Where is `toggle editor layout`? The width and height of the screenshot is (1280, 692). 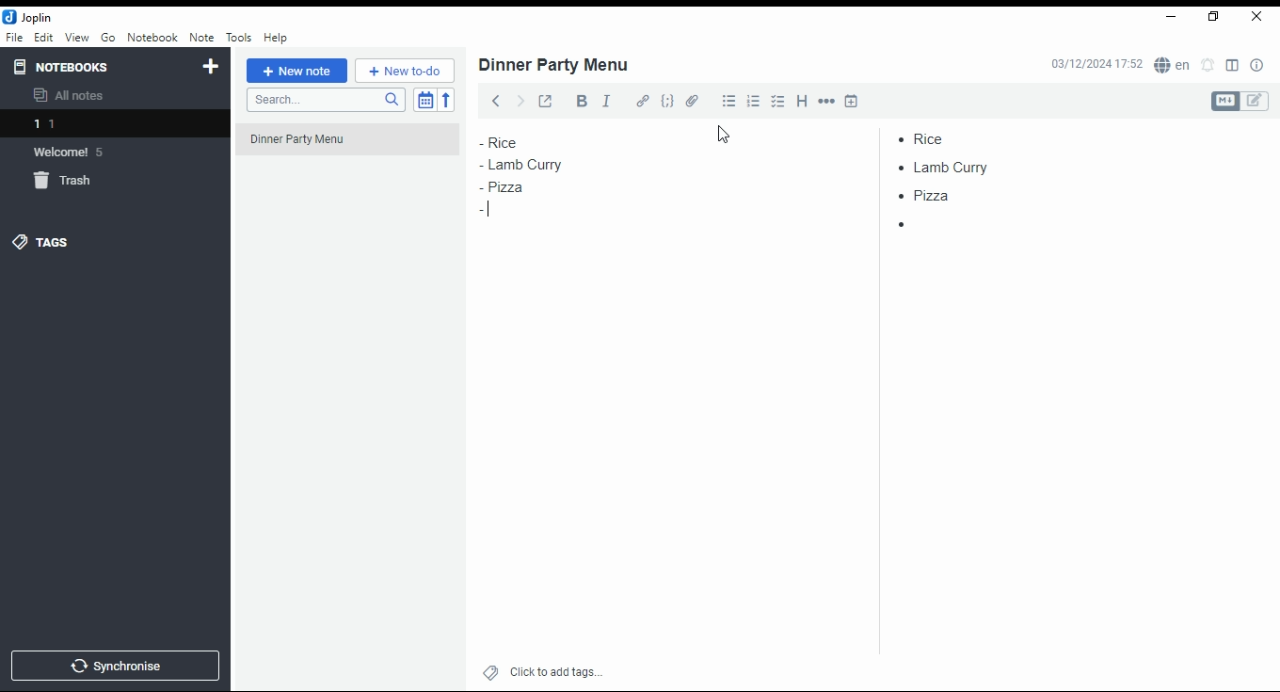 toggle editor layout is located at coordinates (1232, 66).